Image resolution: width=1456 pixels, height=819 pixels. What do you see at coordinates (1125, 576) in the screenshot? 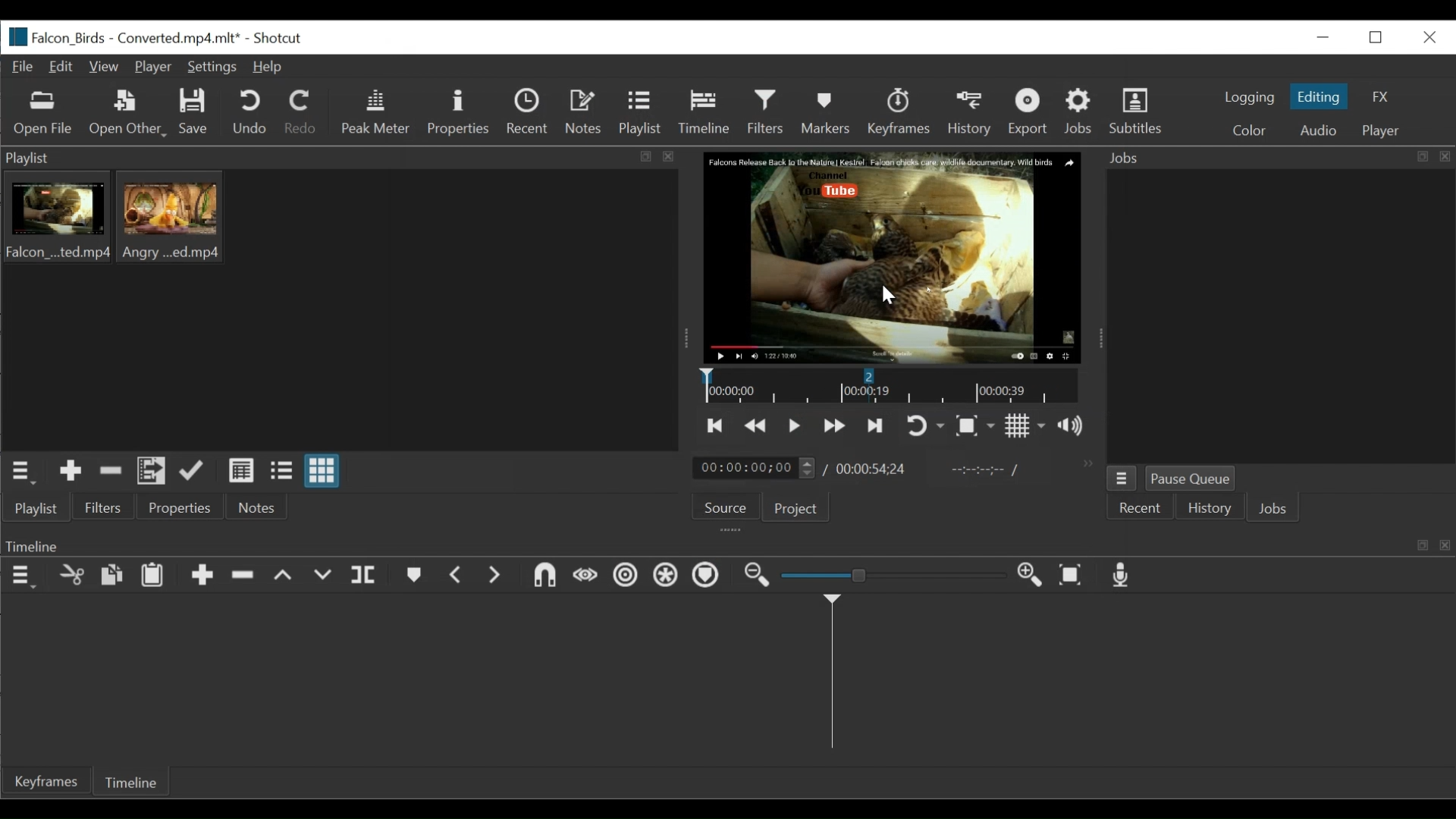
I see `Record audio` at bounding box center [1125, 576].